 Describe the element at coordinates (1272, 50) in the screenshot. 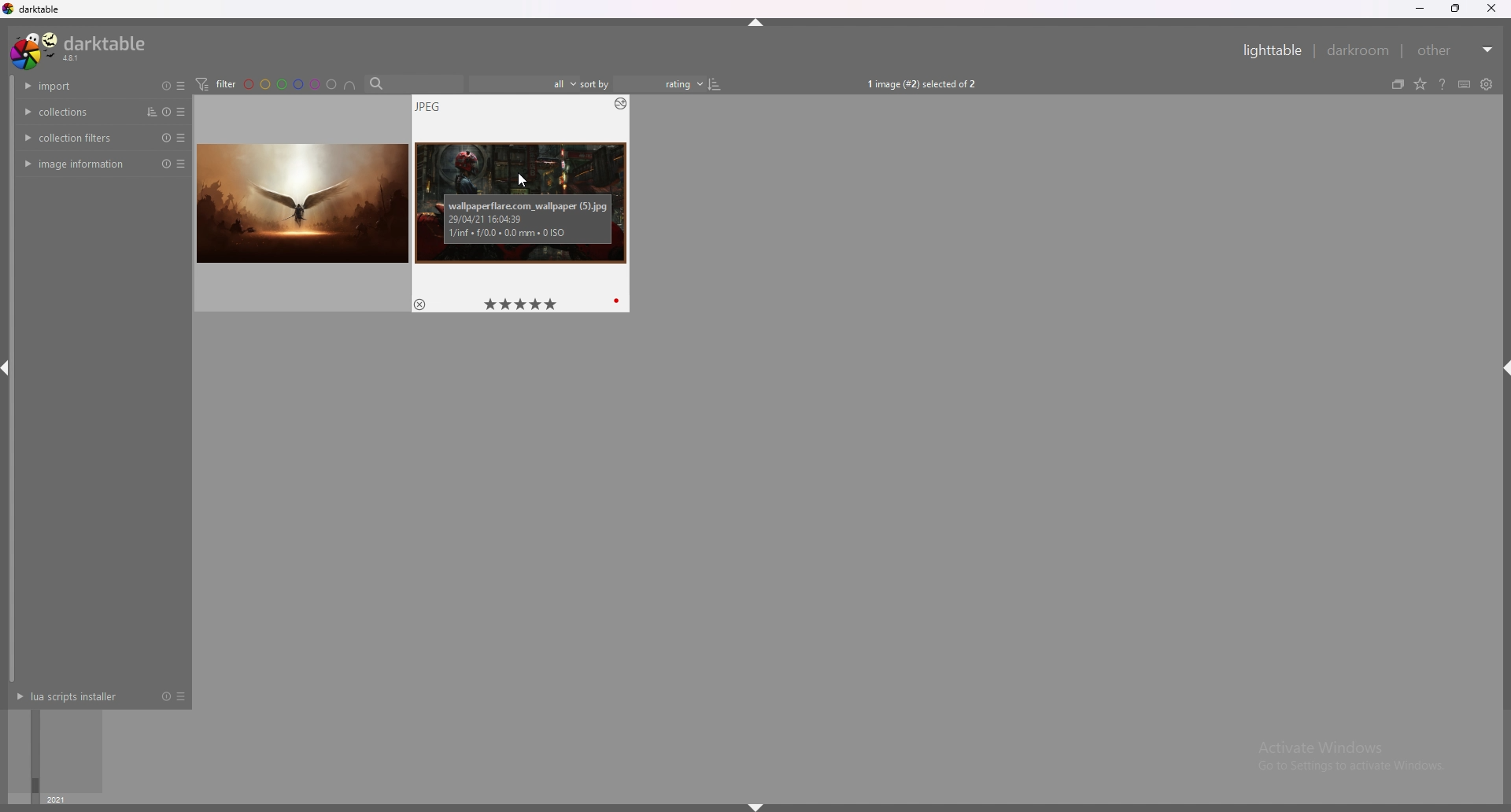

I see `lighttable` at that location.